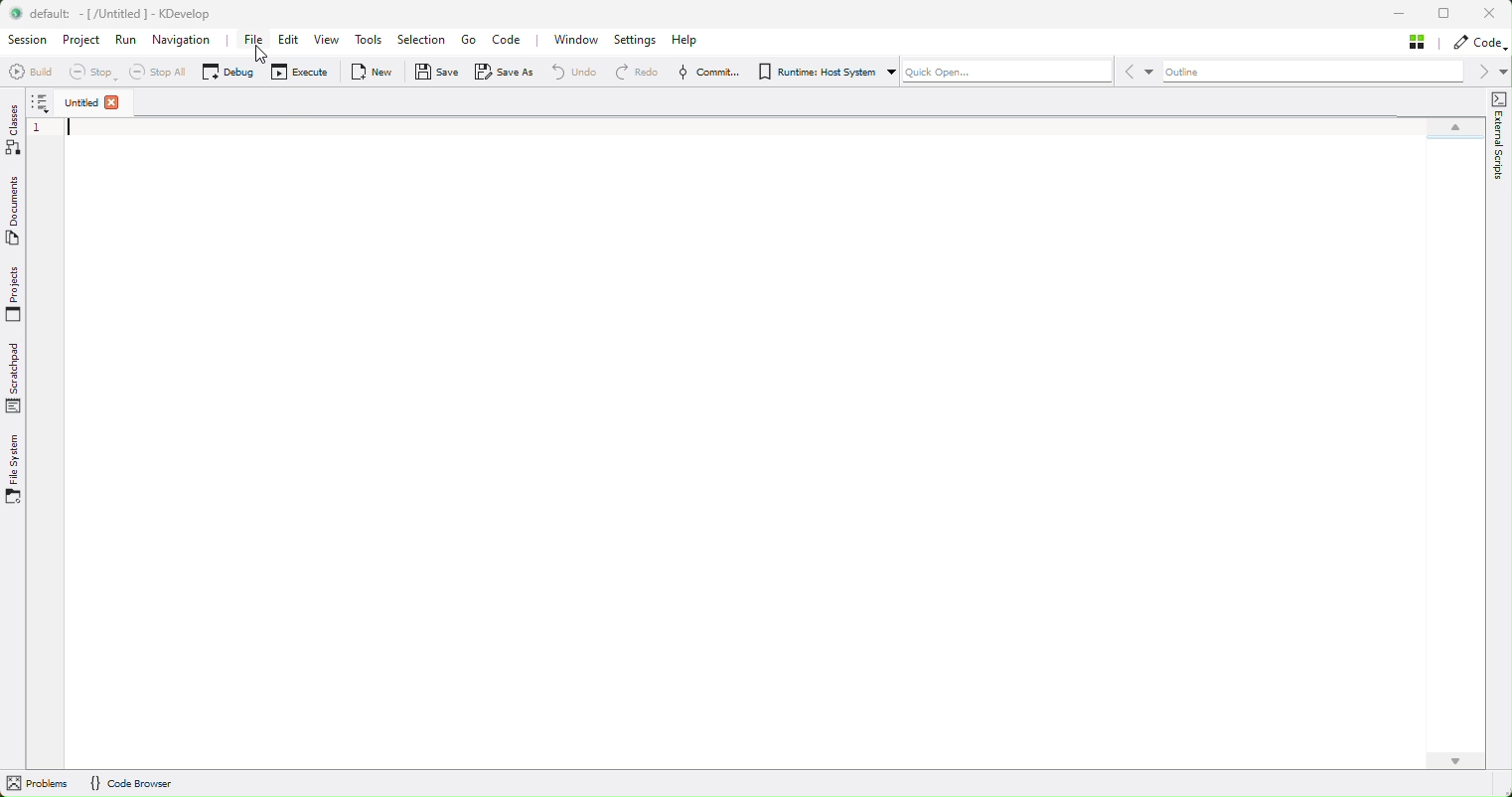  I want to click on Tools, so click(369, 40).